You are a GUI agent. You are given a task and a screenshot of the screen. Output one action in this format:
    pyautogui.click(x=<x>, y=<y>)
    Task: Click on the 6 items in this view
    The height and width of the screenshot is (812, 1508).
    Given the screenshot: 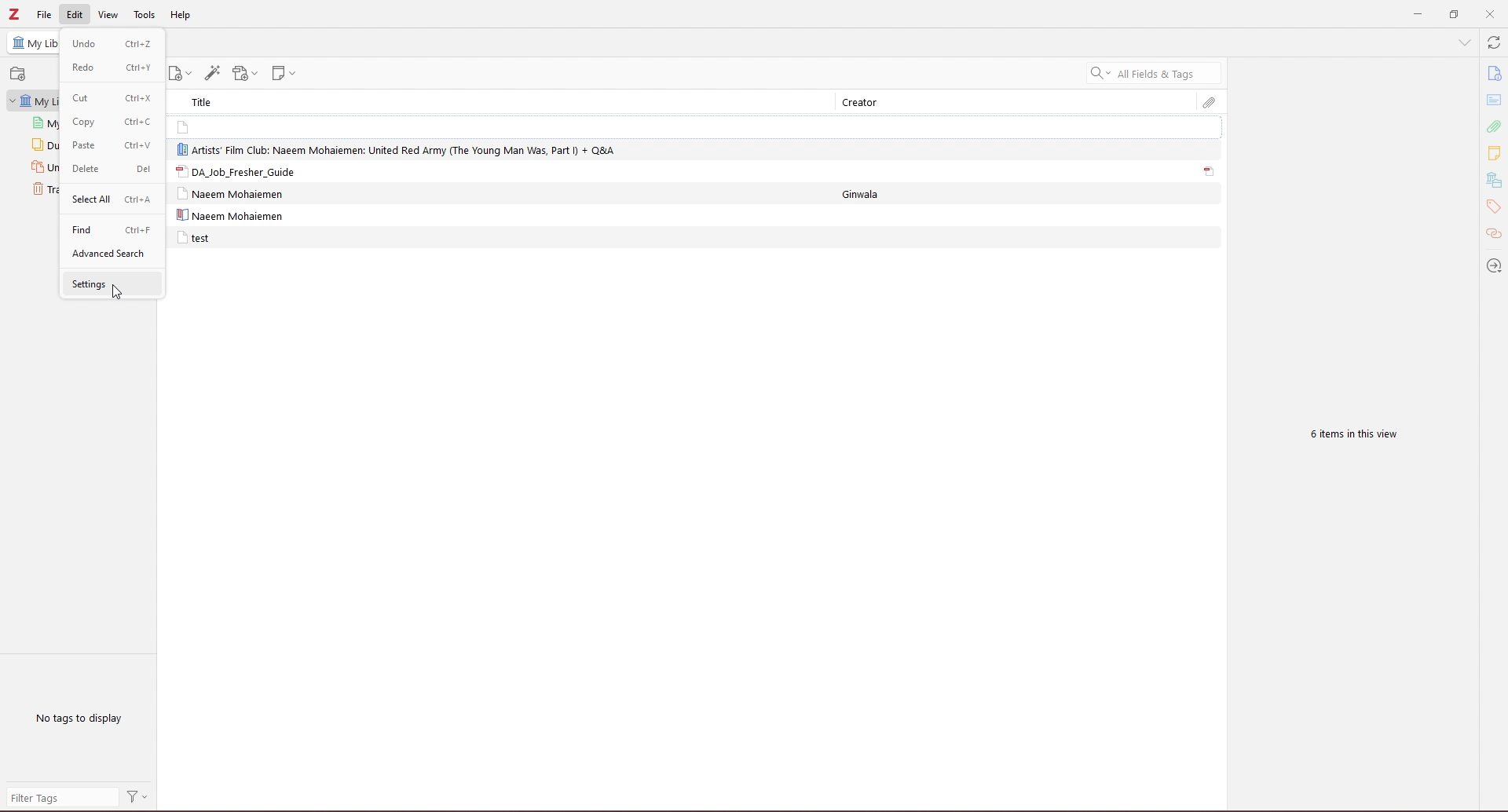 What is the action you would take?
    pyautogui.click(x=1349, y=436)
    